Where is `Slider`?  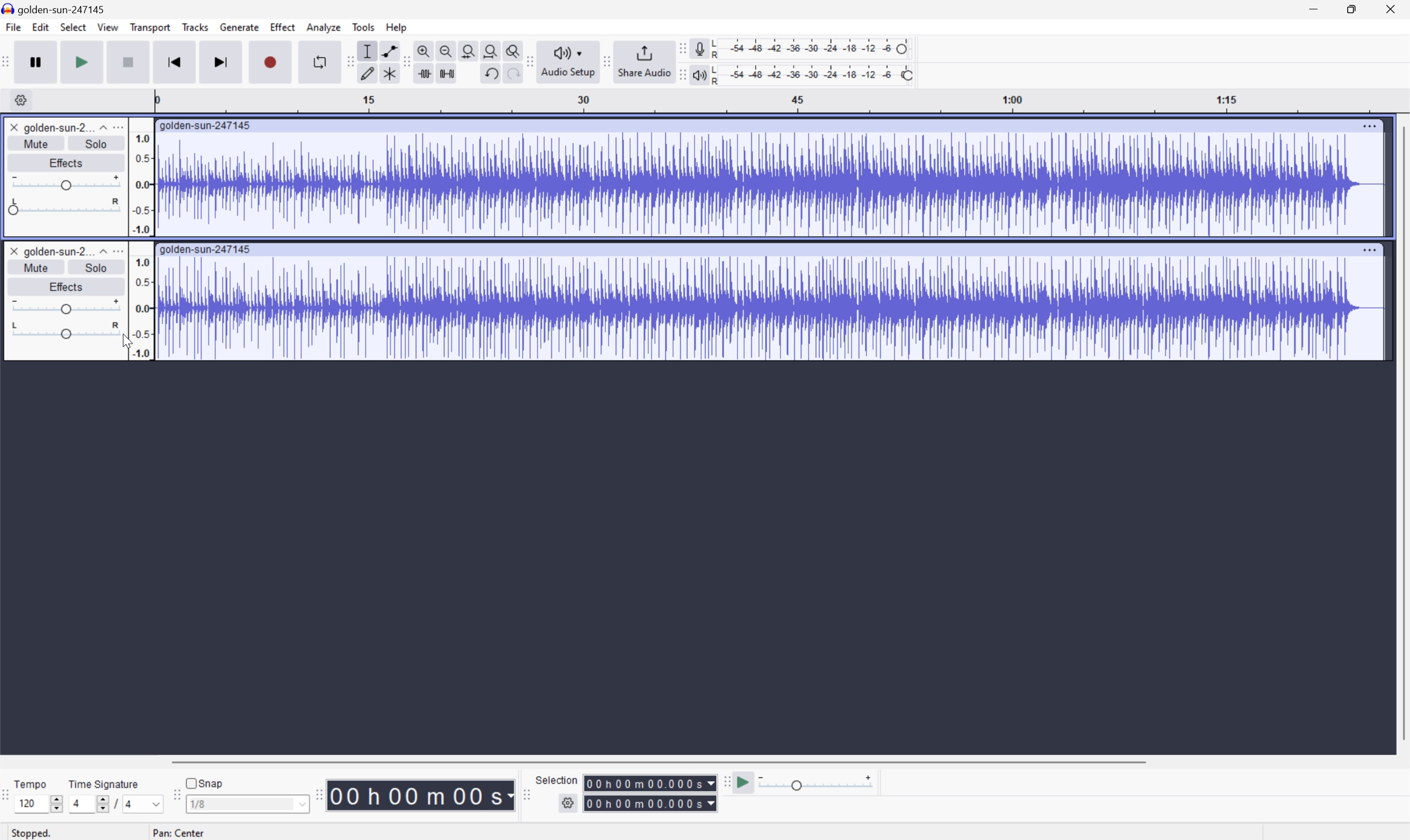
Slider is located at coordinates (63, 183).